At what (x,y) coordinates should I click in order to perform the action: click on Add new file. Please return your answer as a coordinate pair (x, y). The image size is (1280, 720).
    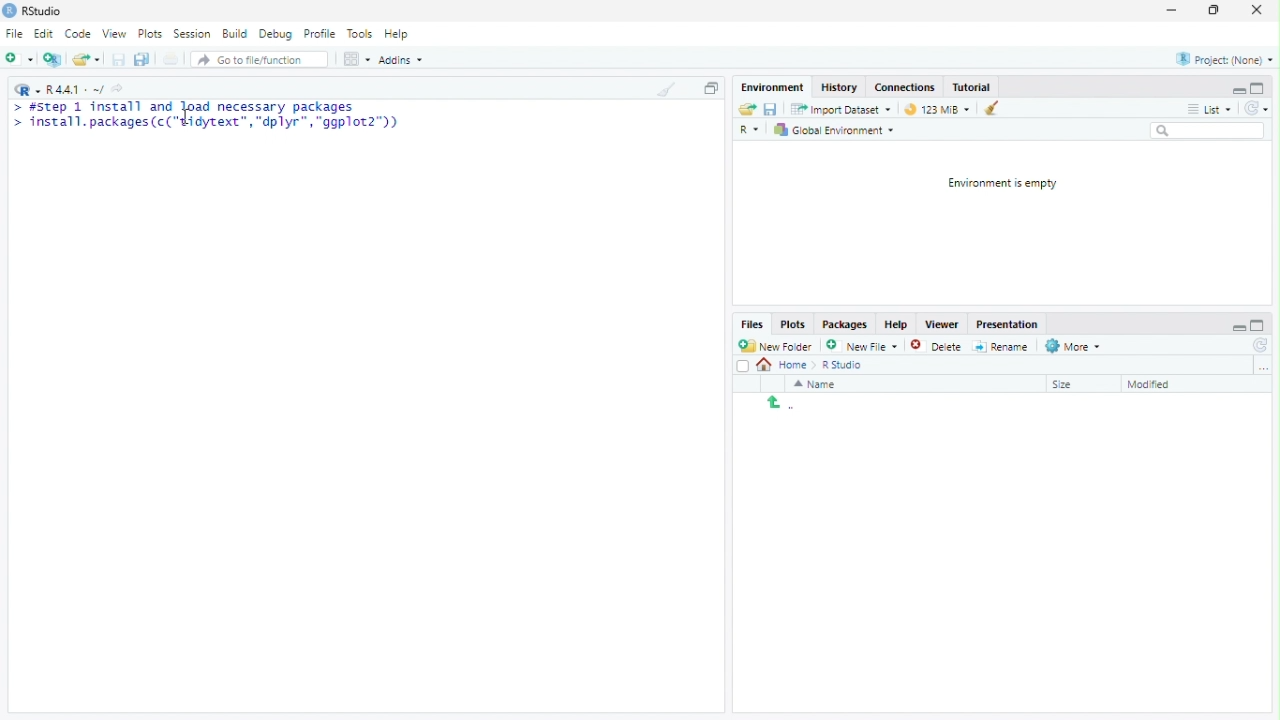
    Looking at the image, I should click on (18, 57).